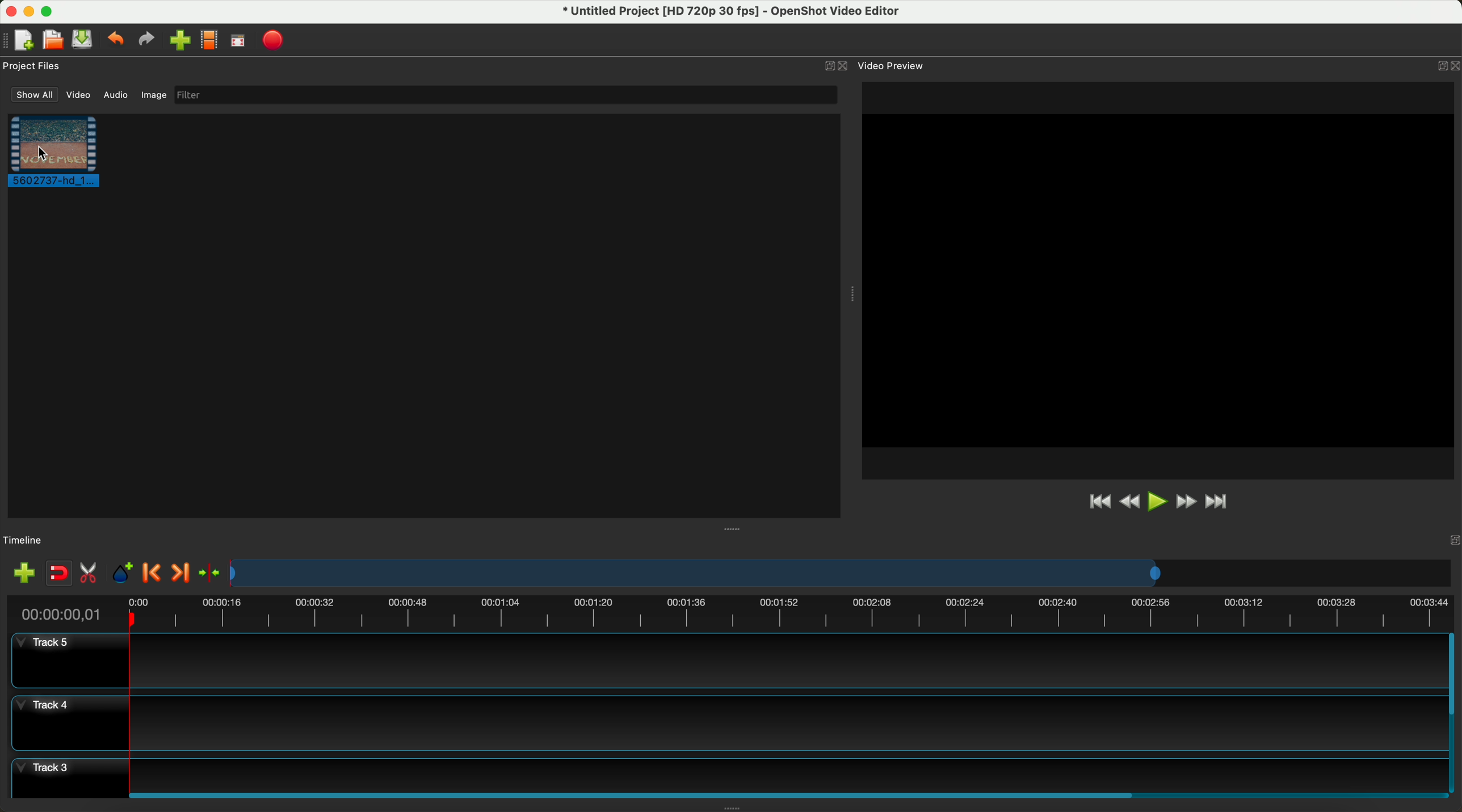  Describe the element at coordinates (1453, 711) in the screenshot. I see `scrollbar` at that location.